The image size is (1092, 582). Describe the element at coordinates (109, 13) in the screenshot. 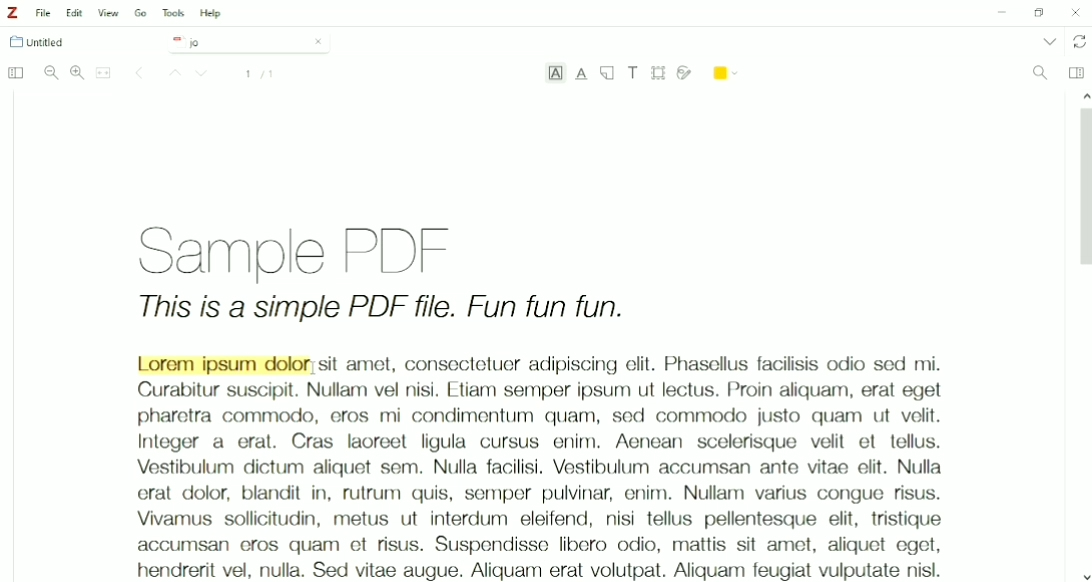

I see `View` at that location.